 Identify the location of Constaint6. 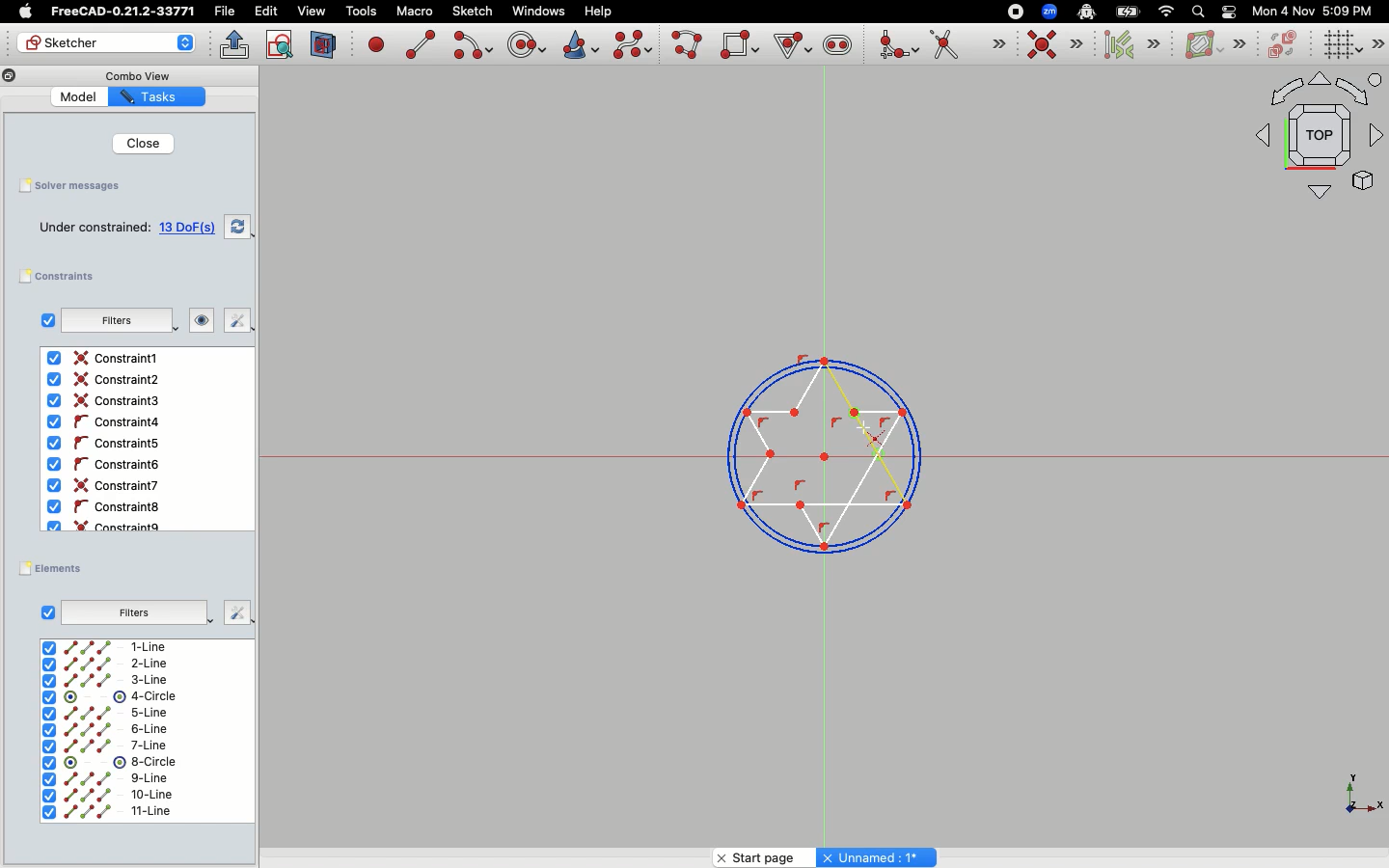
(107, 465).